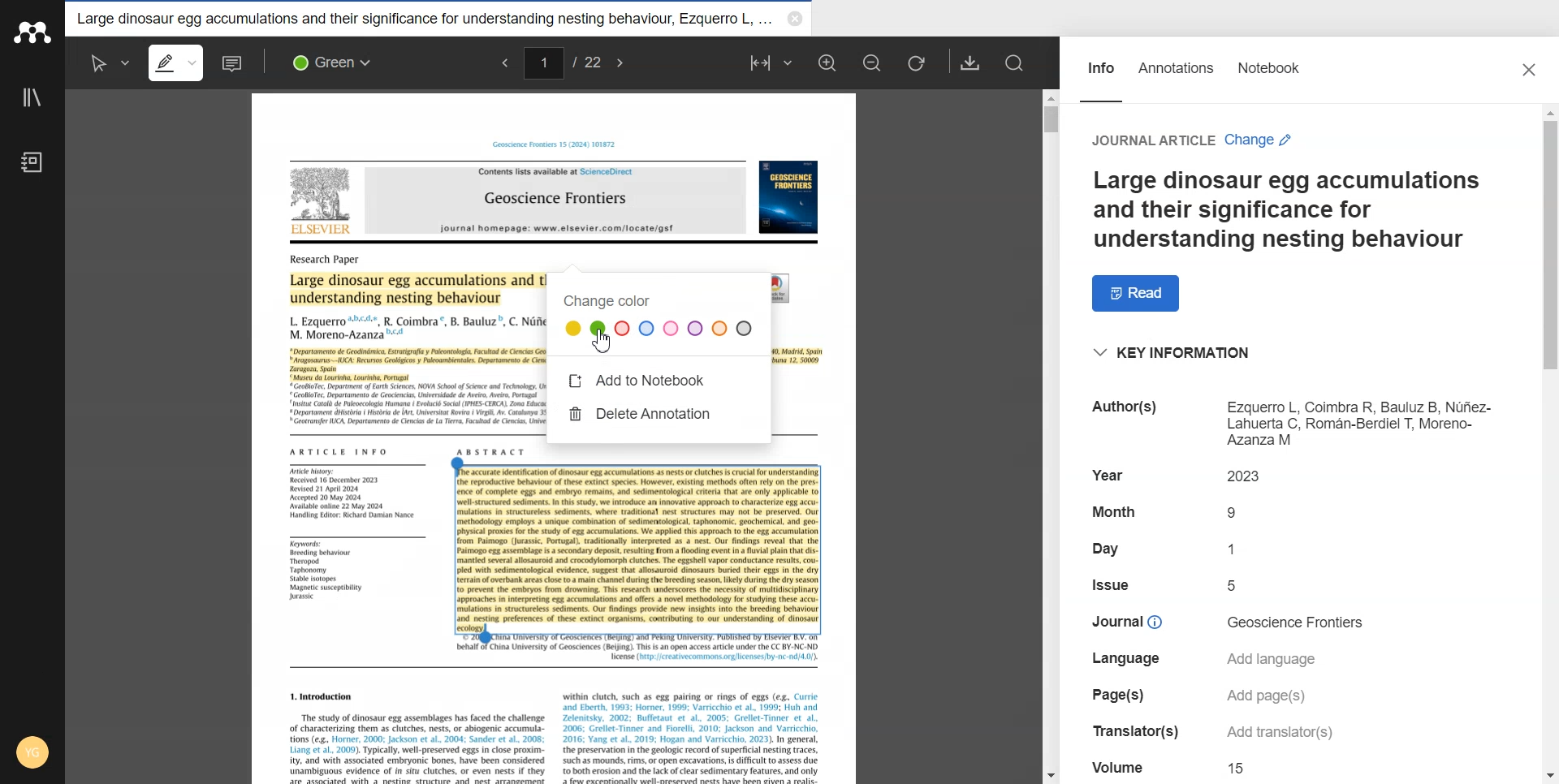 The height and width of the screenshot is (784, 1559). What do you see at coordinates (1152, 141) in the screenshot?
I see `text` at bounding box center [1152, 141].